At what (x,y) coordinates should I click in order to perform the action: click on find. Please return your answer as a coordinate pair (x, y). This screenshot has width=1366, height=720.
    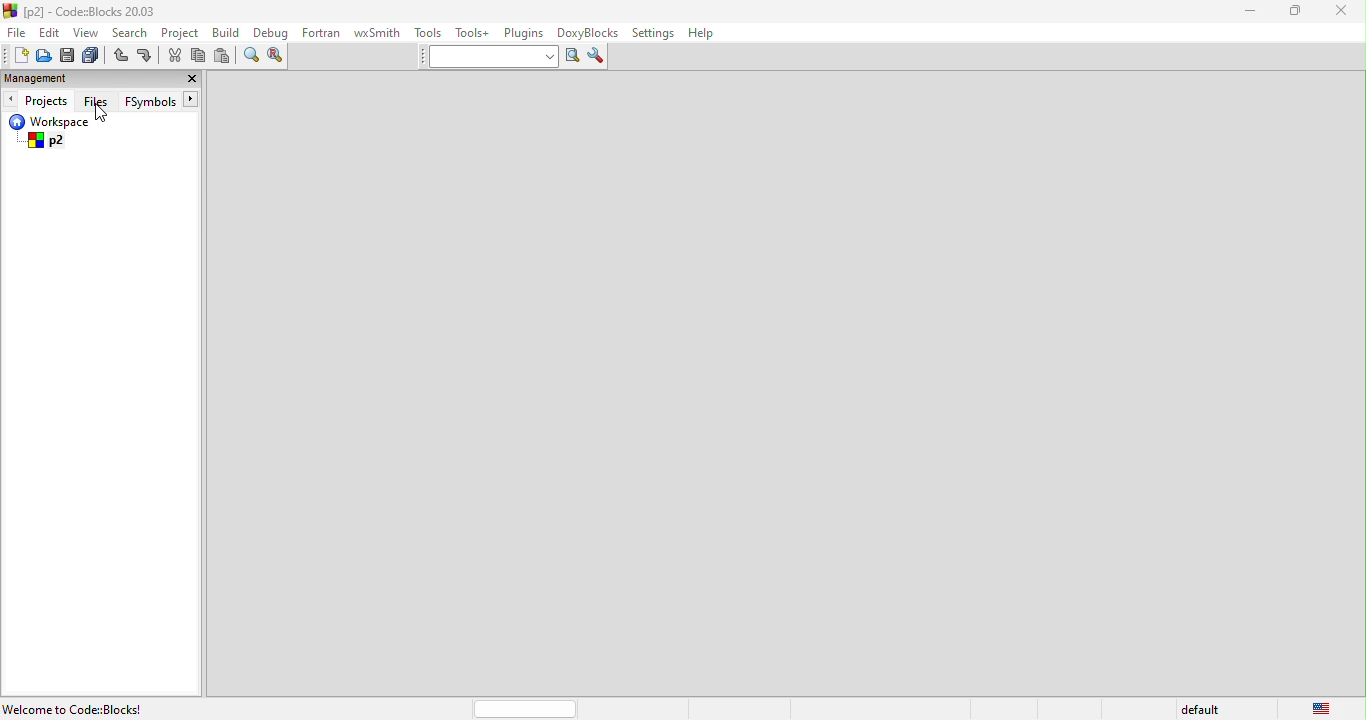
    Looking at the image, I should click on (250, 57).